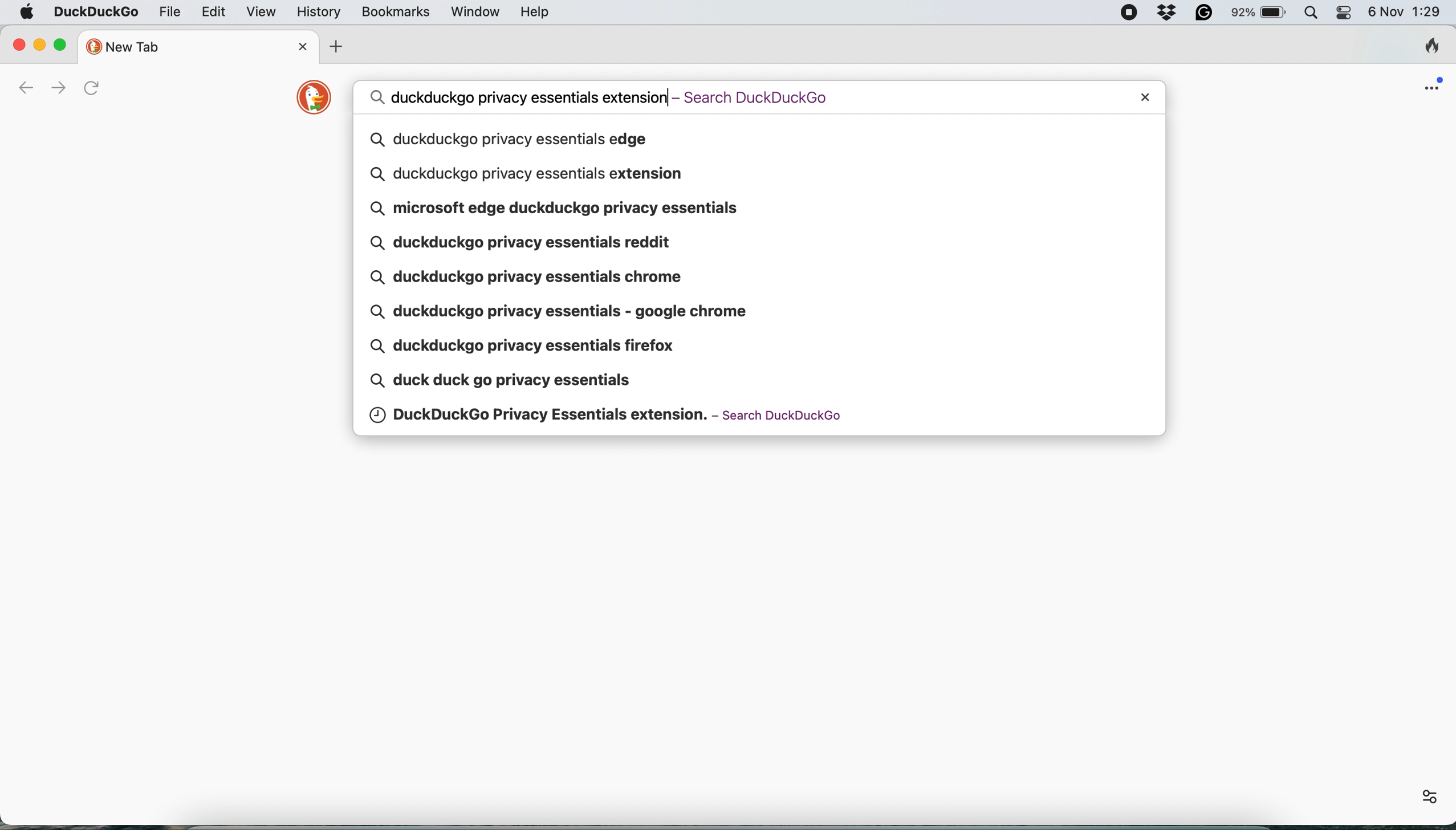 The height and width of the screenshot is (830, 1456). Describe the element at coordinates (476, 14) in the screenshot. I see `window` at that location.